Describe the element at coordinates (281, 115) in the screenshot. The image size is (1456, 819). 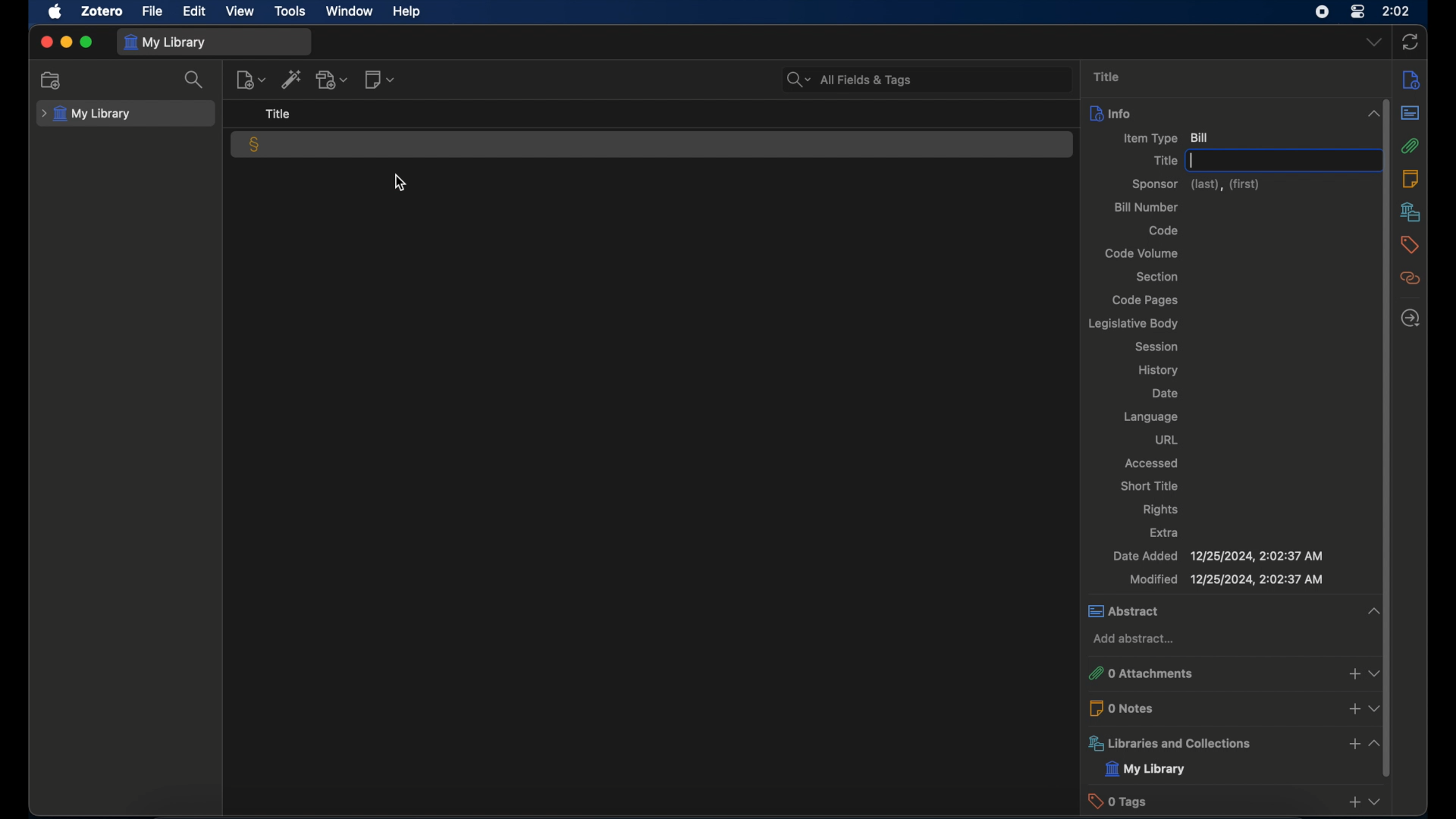
I see `title` at that location.